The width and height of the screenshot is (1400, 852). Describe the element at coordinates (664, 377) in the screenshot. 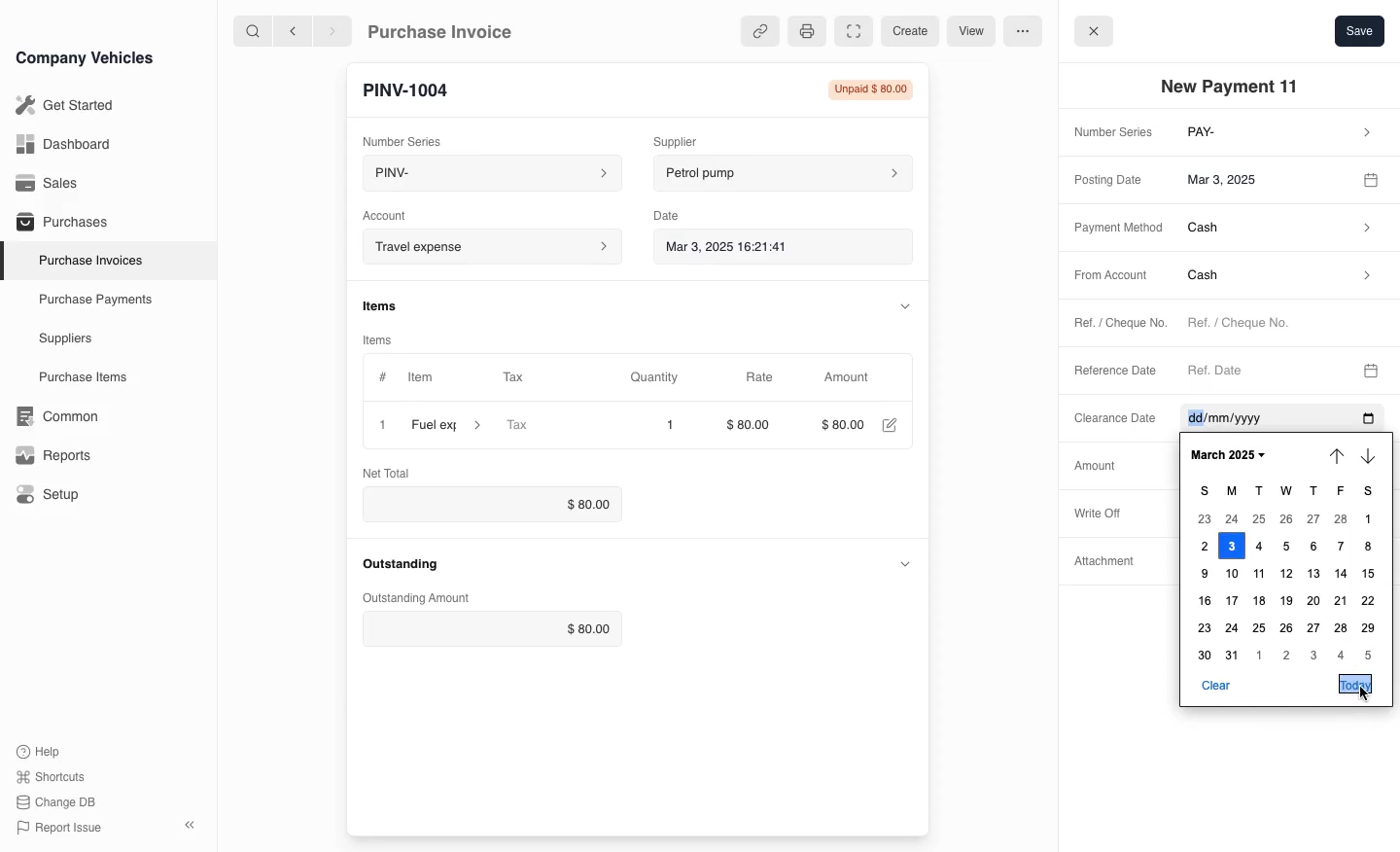

I see `Quantity` at that location.